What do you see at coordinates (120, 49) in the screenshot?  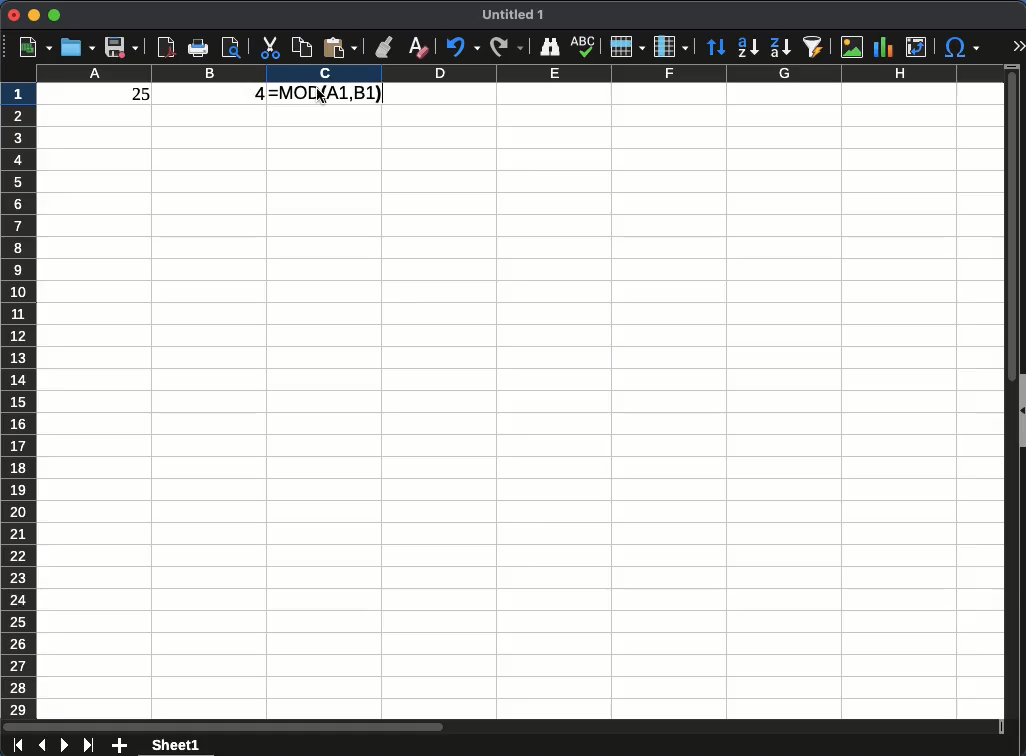 I see `save` at bounding box center [120, 49].